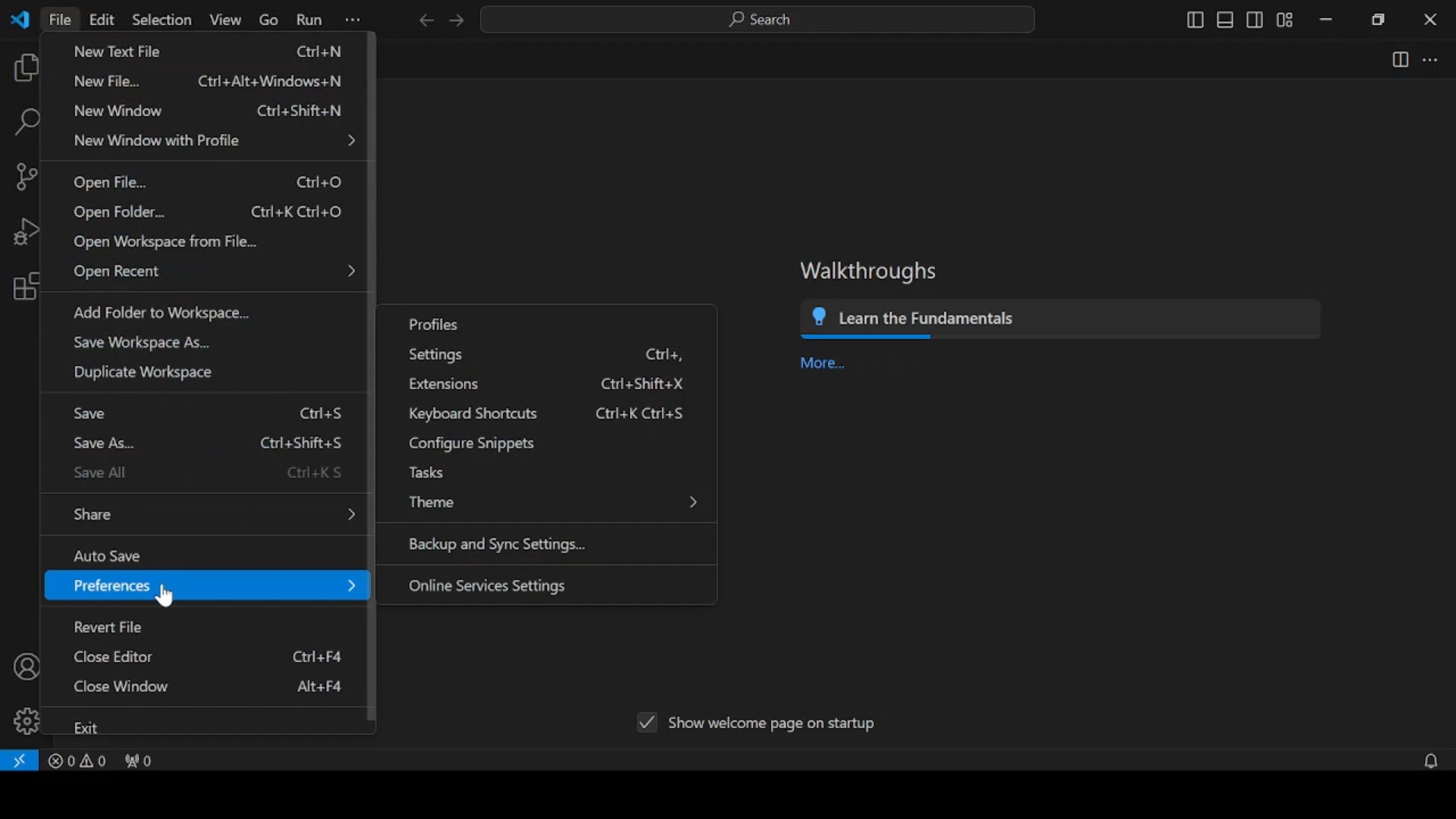 The height and width of the screenshot is (819, 1456). What do you see at coordinates (1255, 20) in the screenshot?
I see `toggle secondary side bar` at bounding box center [1255, 20].